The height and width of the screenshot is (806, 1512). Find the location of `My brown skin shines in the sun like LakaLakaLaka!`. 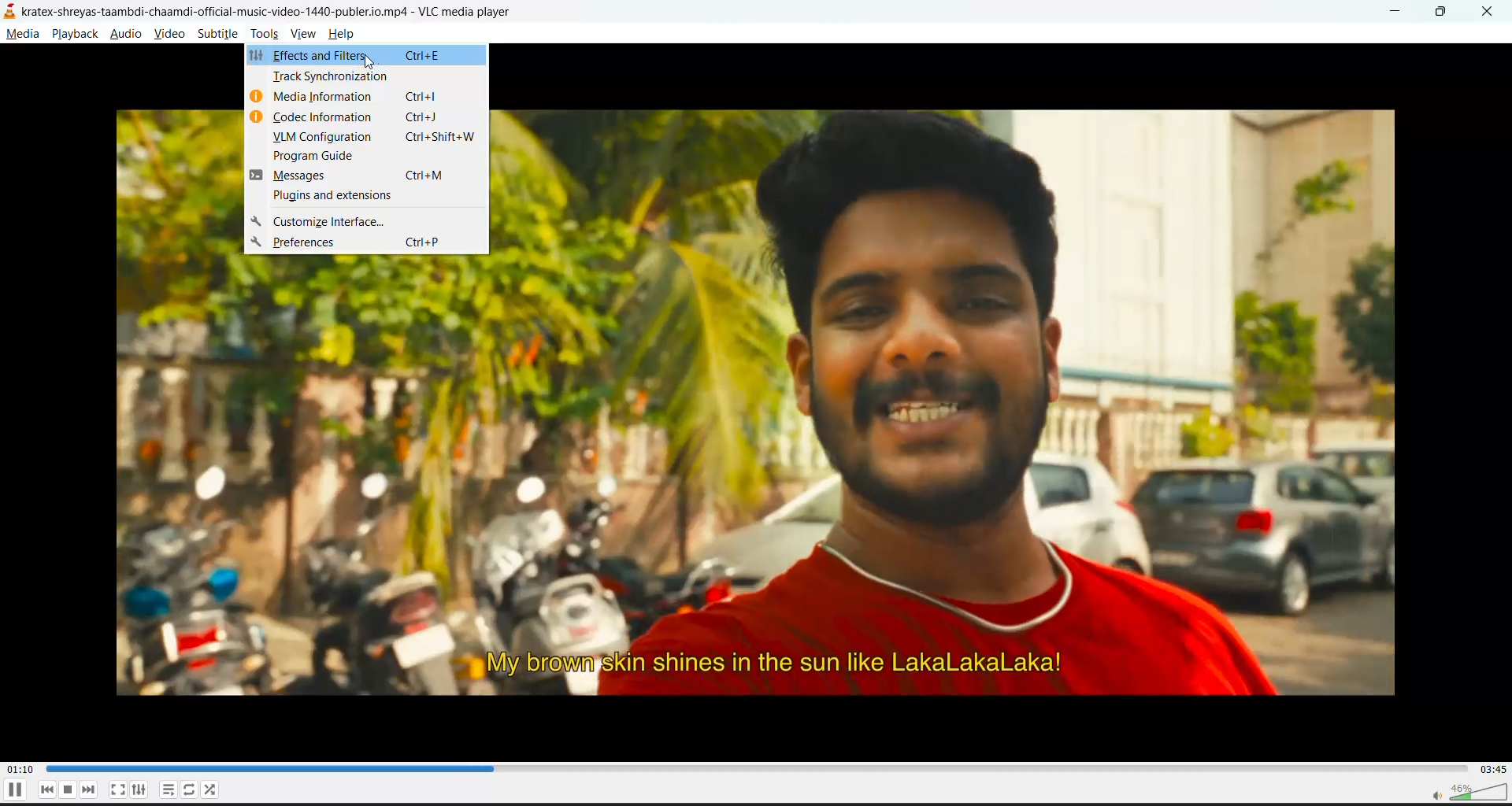

My brown skin shines in the sun like LakaLakaLaka! is located at coordinates (773, 664).